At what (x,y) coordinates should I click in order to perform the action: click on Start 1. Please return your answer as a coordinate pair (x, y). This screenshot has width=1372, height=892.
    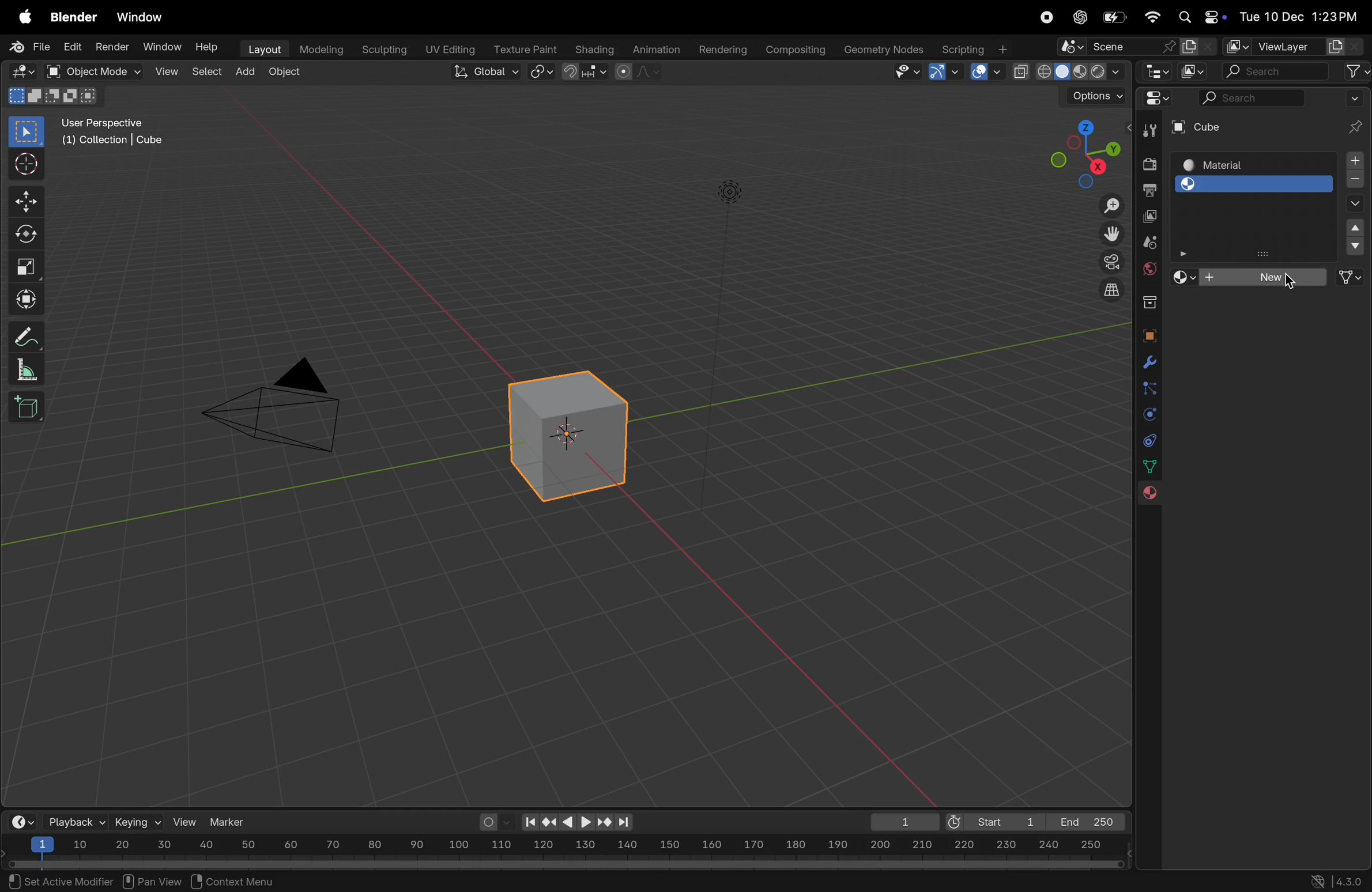
    Looking at the image, I should click on (993, 820).